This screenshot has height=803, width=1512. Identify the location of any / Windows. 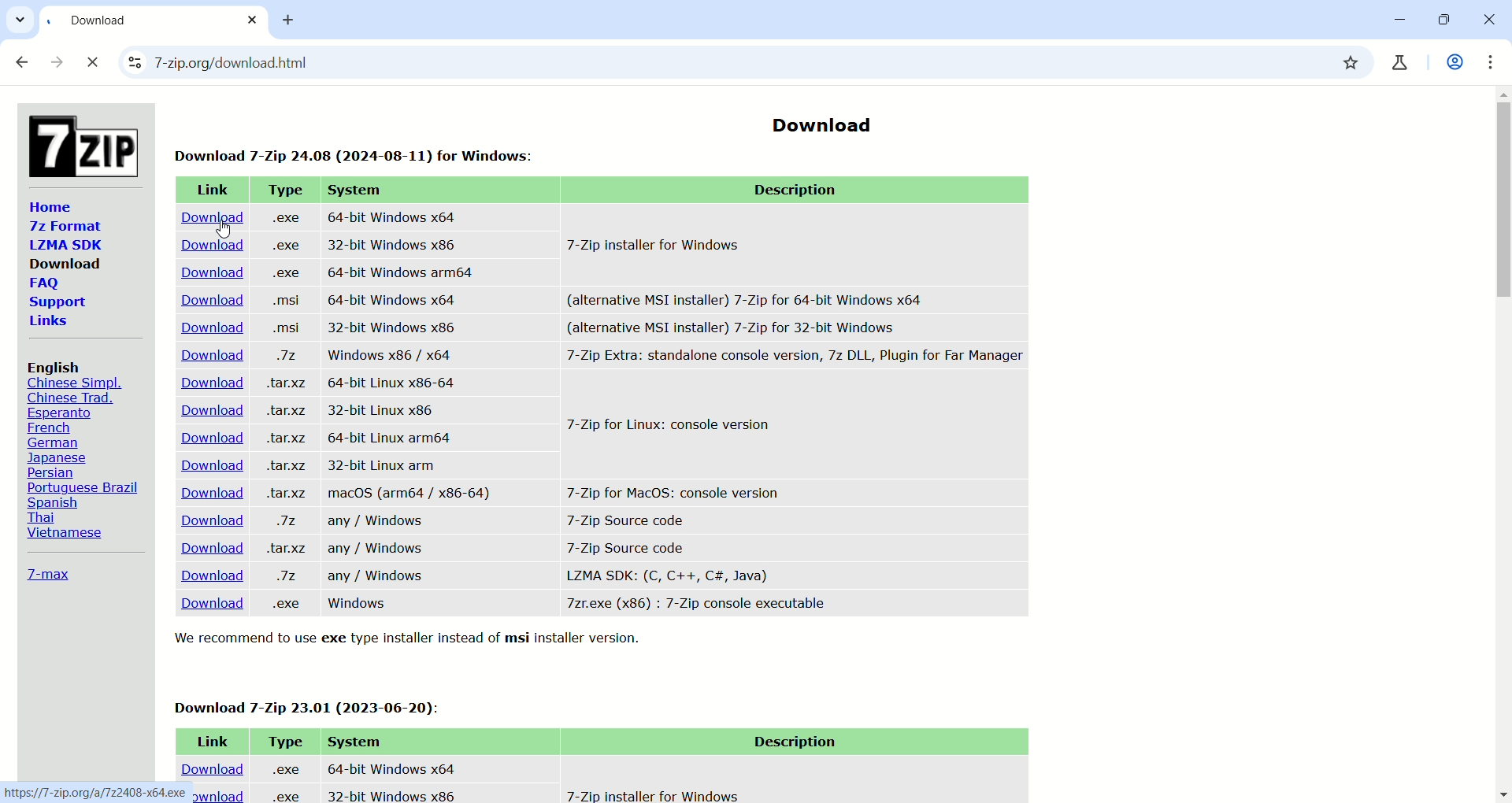
(384, 523).